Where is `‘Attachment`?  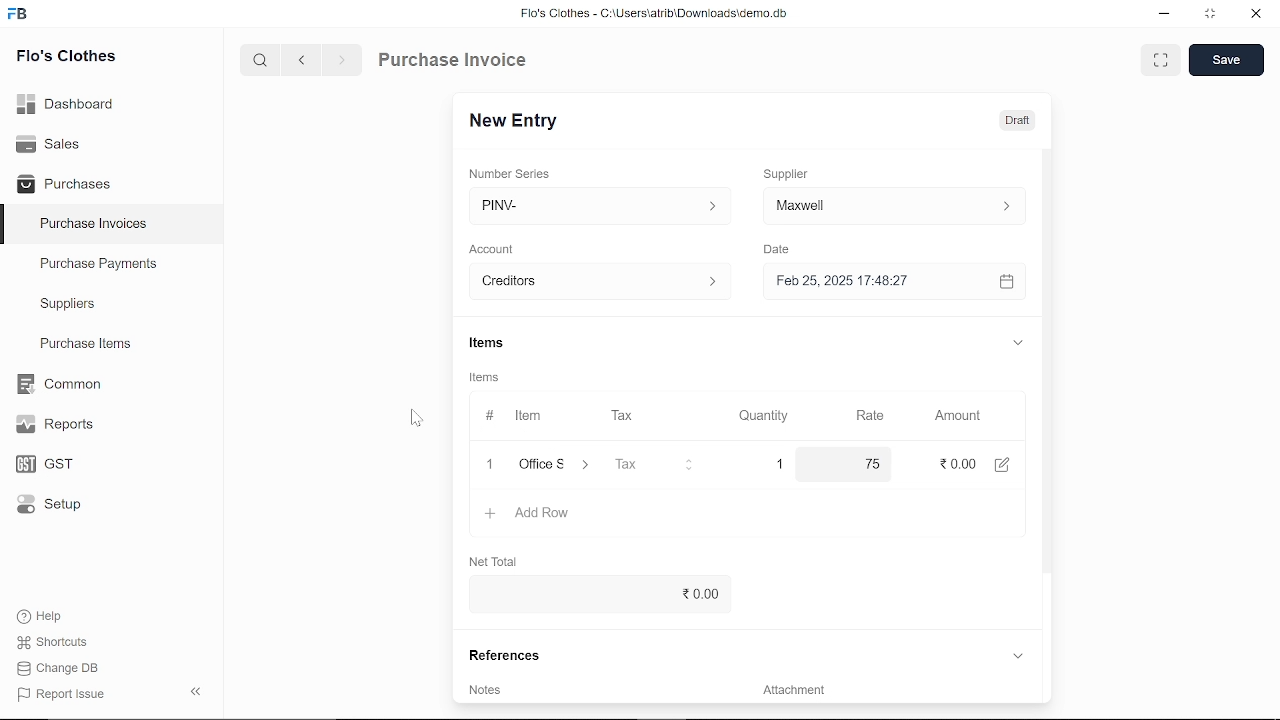
‘Attachment is located at coordinates (792, 693).